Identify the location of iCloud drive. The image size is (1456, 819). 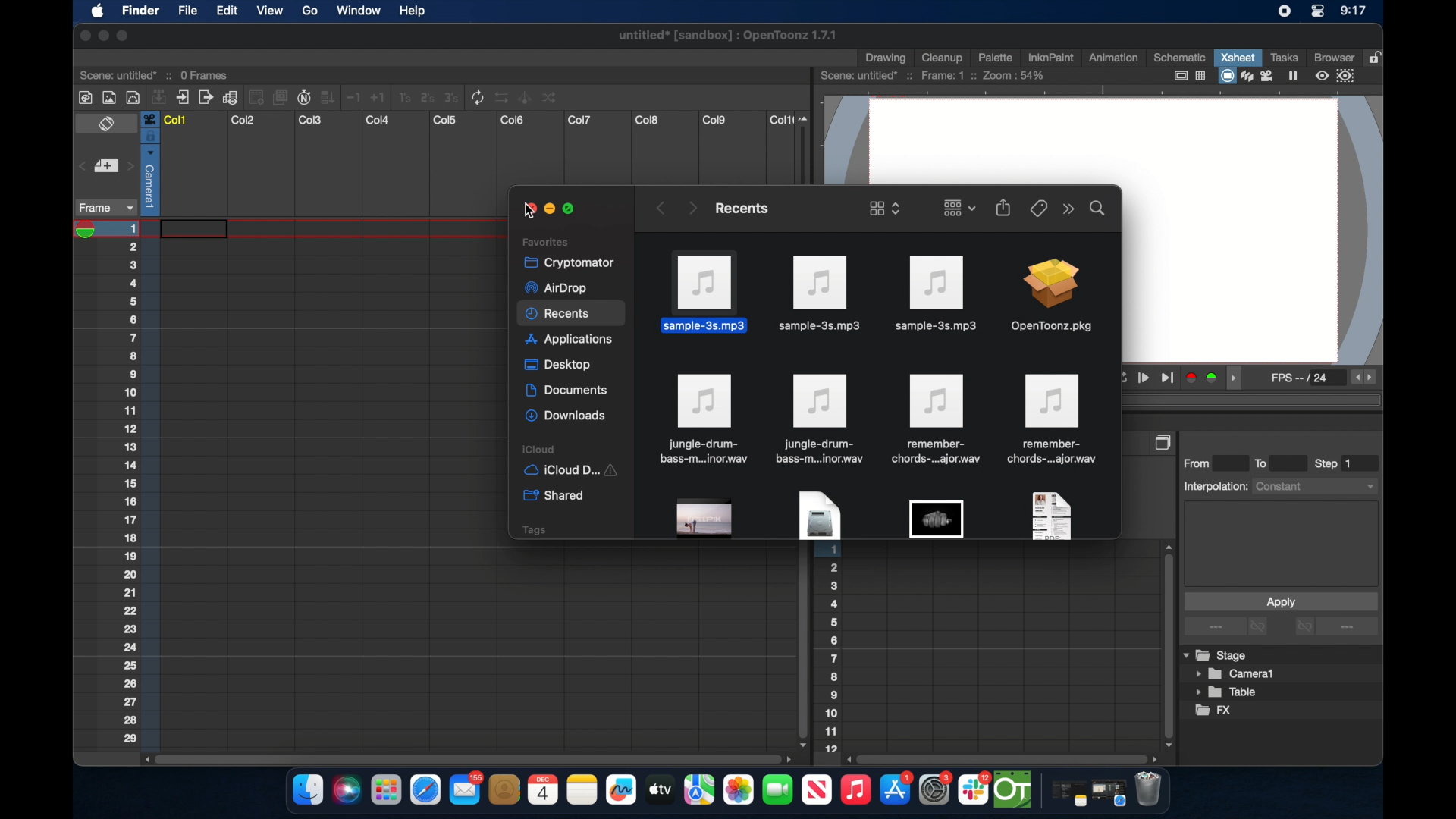
(570, 472).